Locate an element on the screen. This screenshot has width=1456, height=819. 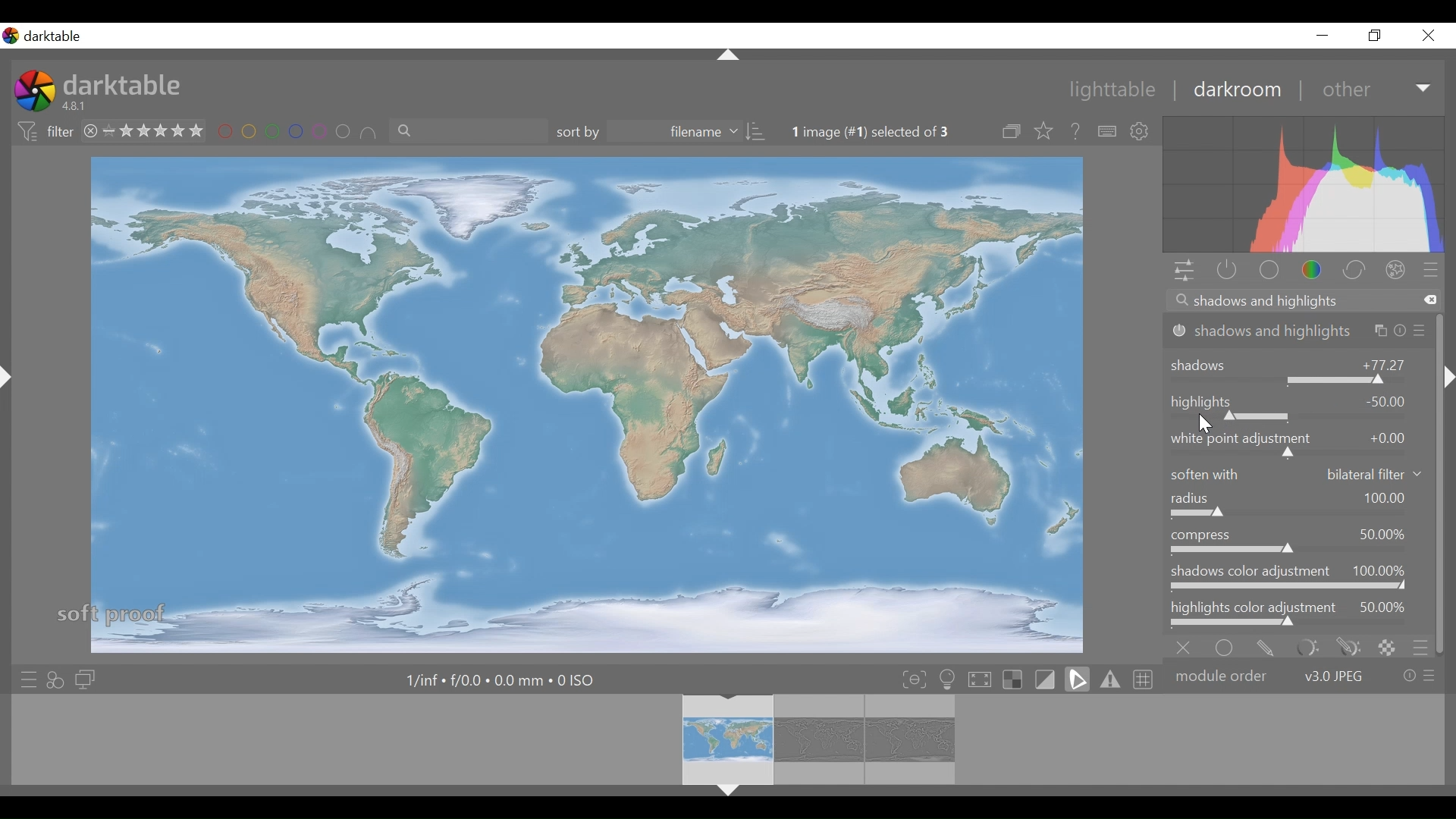
darktable is located at coordinates (125, 85).